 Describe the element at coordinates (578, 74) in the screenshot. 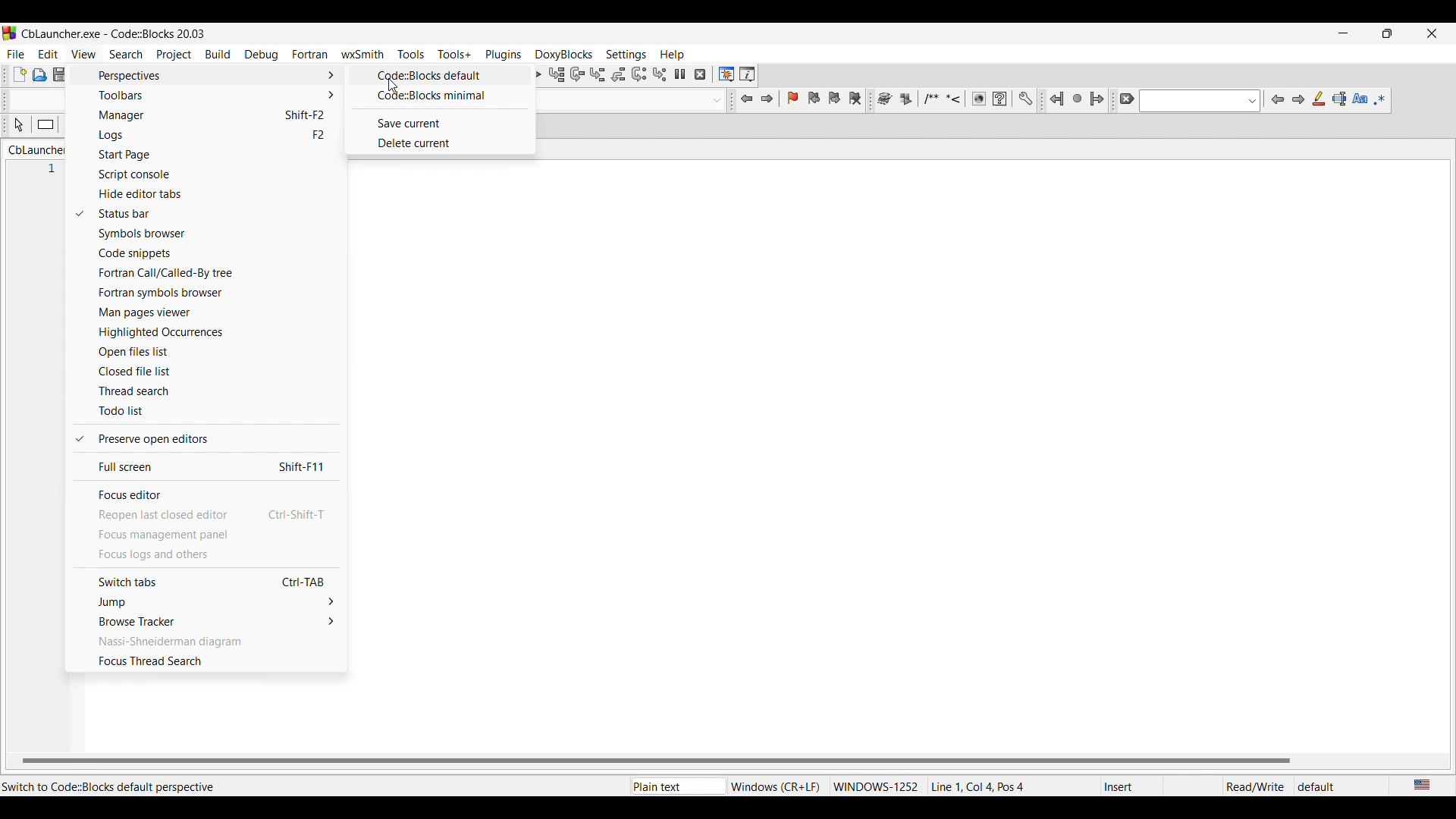

I see `Next line` at that location.